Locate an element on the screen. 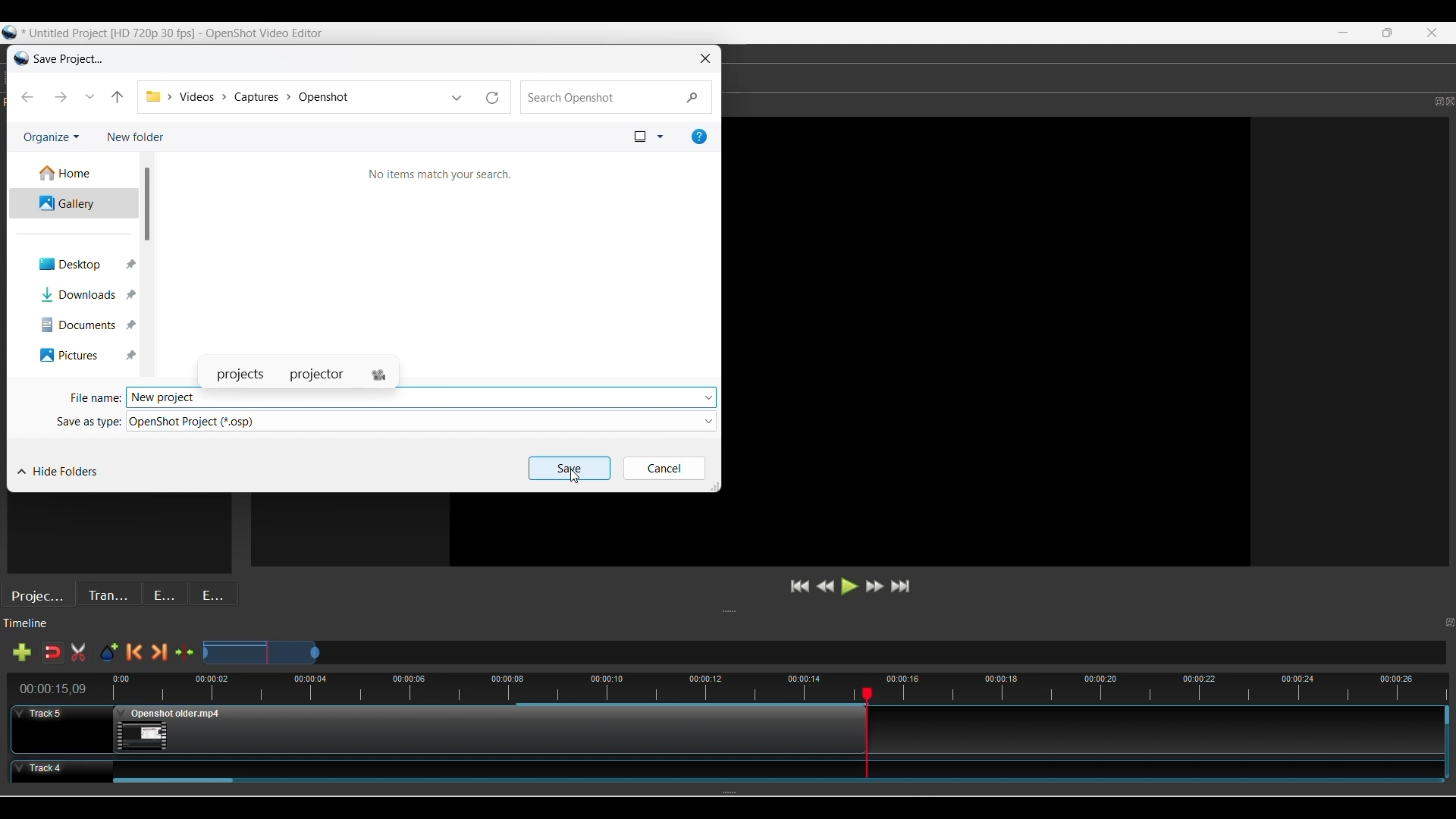 Image resolution: width=1456 pixels, height=819 pixels. Cut is located at coordinates (78, 652).